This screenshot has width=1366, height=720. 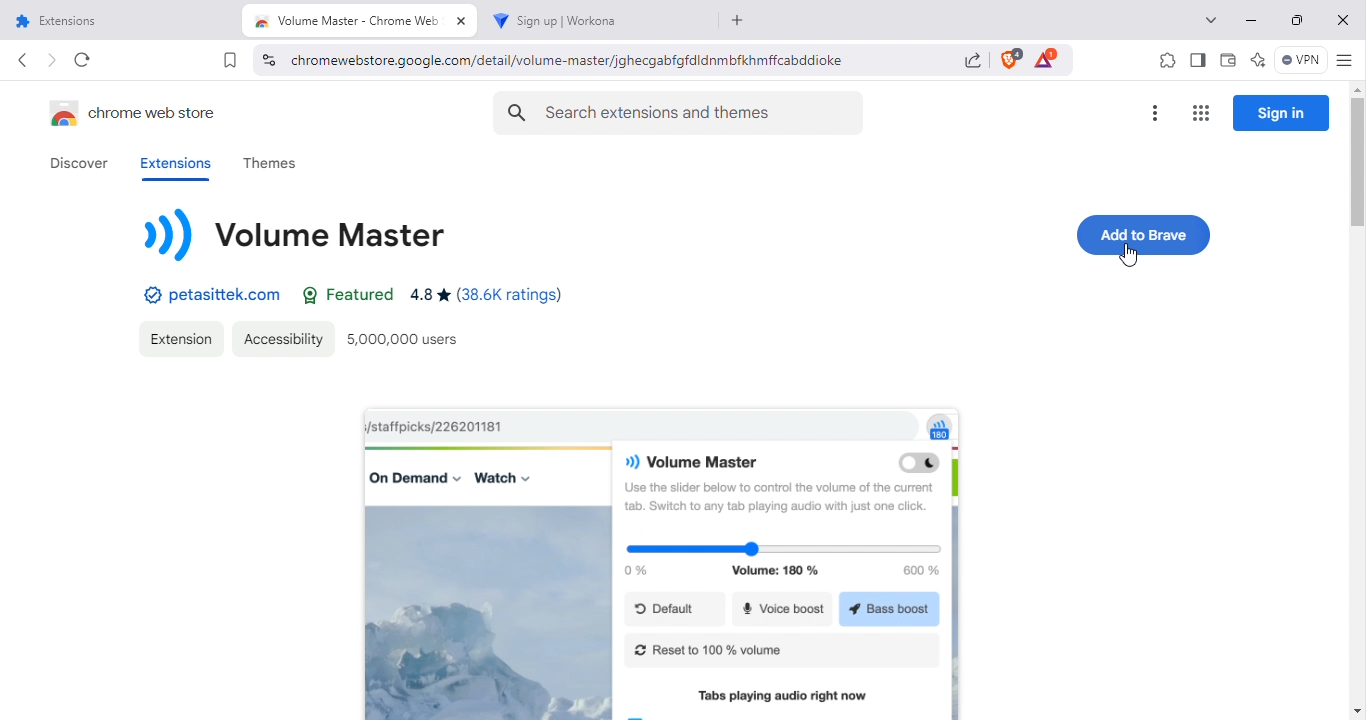 What do you see at coordinates (86, 62) in the screenshot?
I see `Refresh` at bounding box center [86, 62].